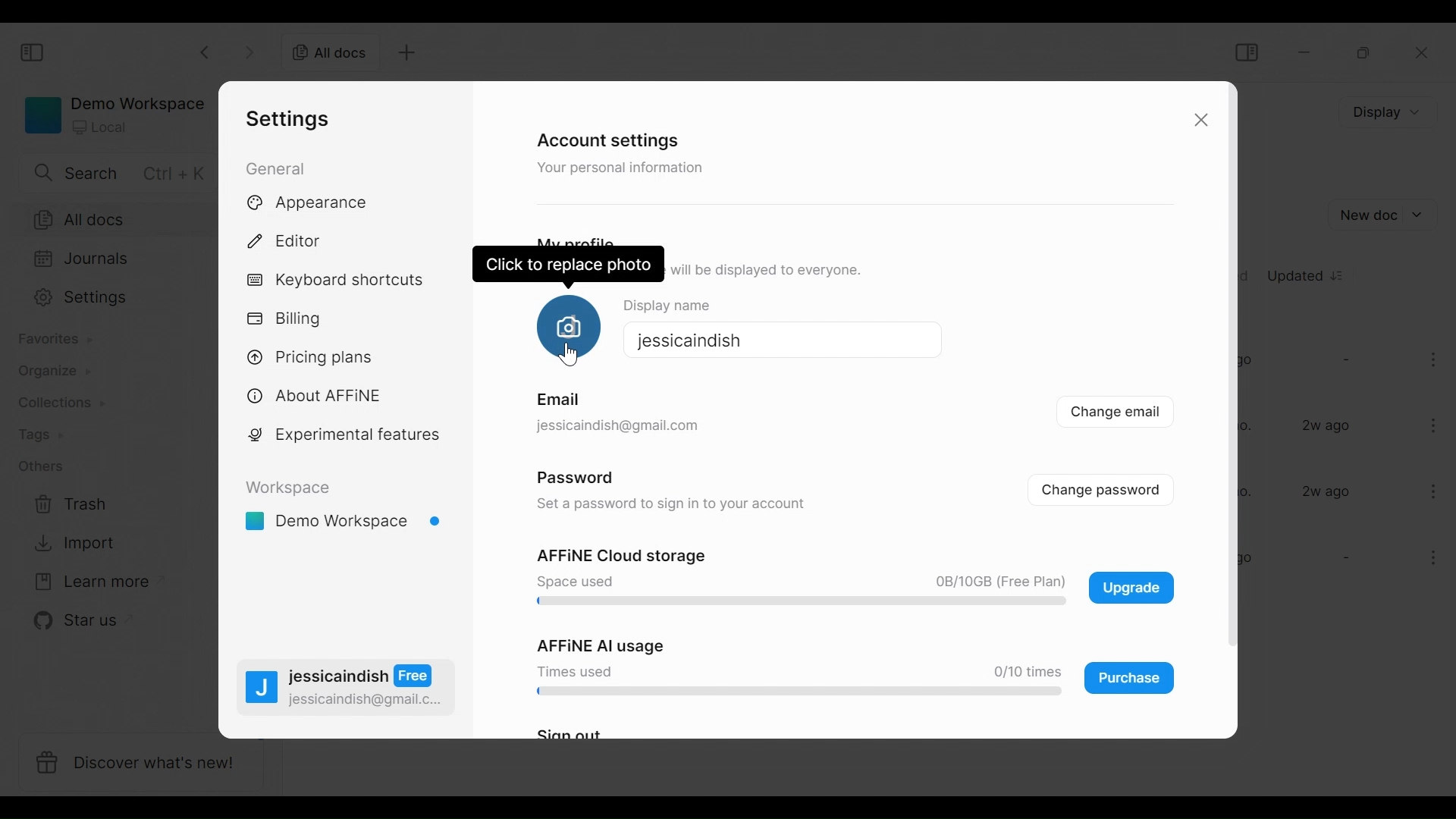  Describe the element at coordinates (1131, 587) in the screenshot. I see `Upgrade` at that location.